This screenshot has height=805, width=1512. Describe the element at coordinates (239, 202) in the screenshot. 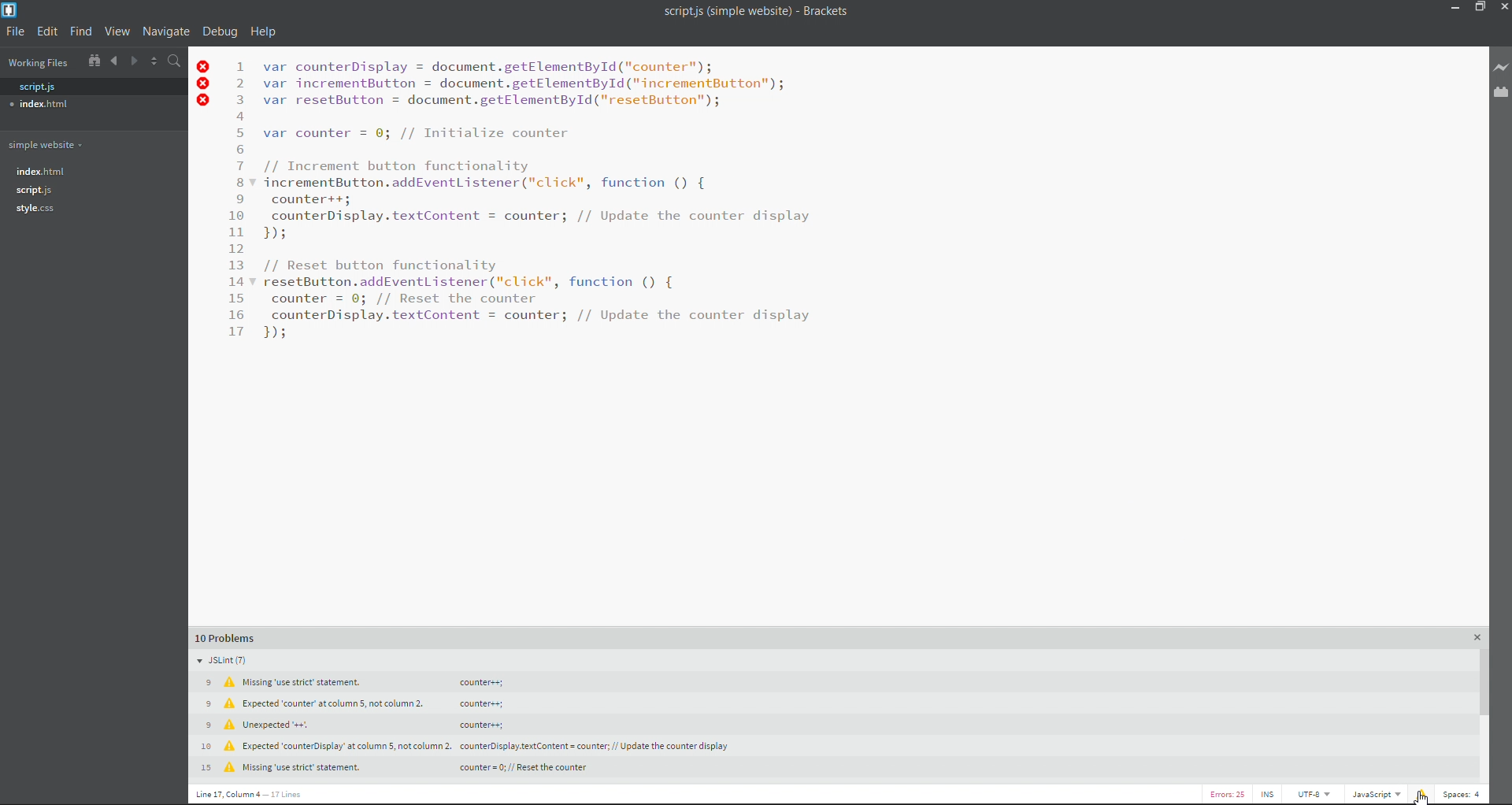

I see `line number` at that location.